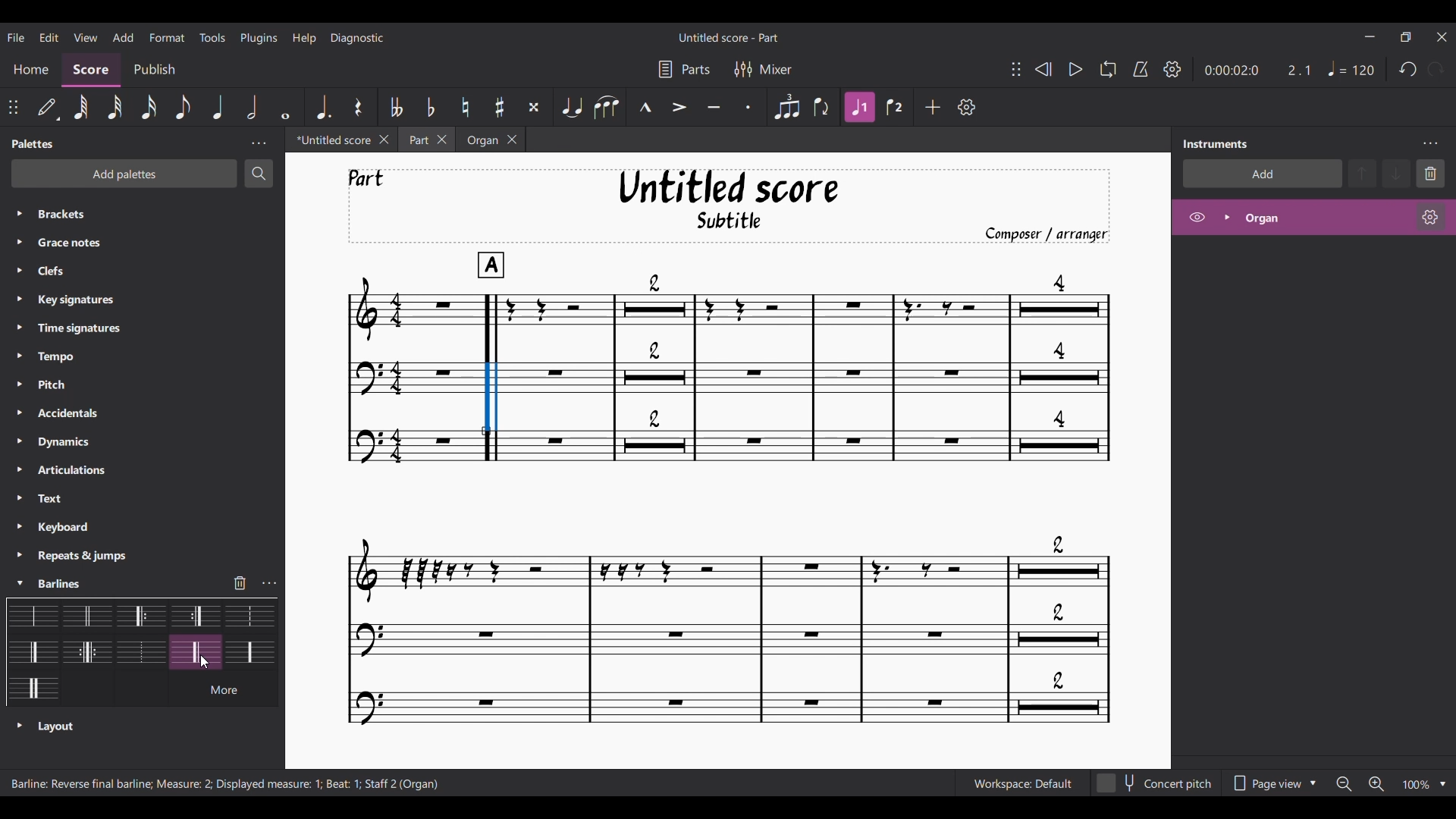 This screenshot has height=819, width=1456. What do you see at coordinates (729, 206) in the screenshot?
I see `Title, sub-title, and composer name` at bounding box center [729, 206].